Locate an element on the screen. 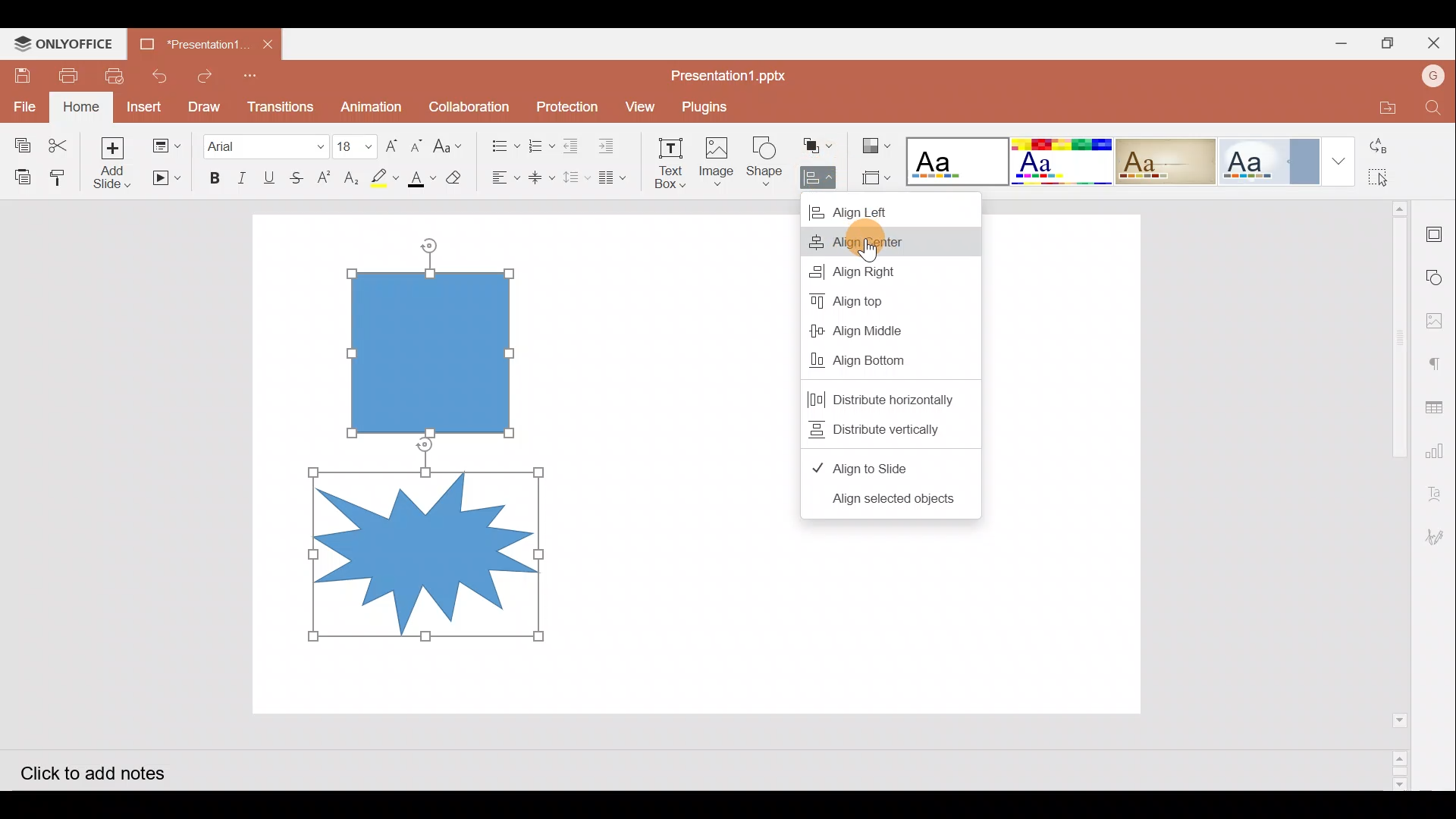 The image size is (1456, 819). Underline is located at coordinates (272, 175).